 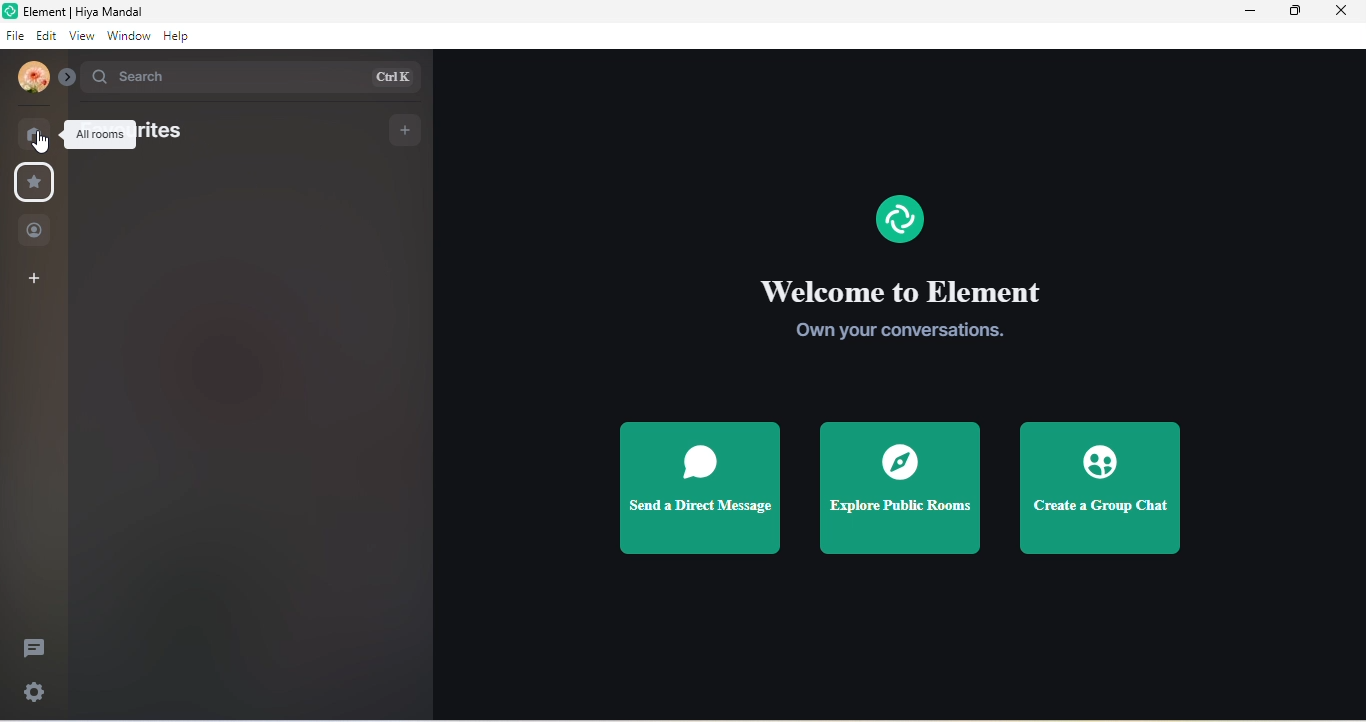 I want to click on Own your conversations., so click(x=899, y=330).